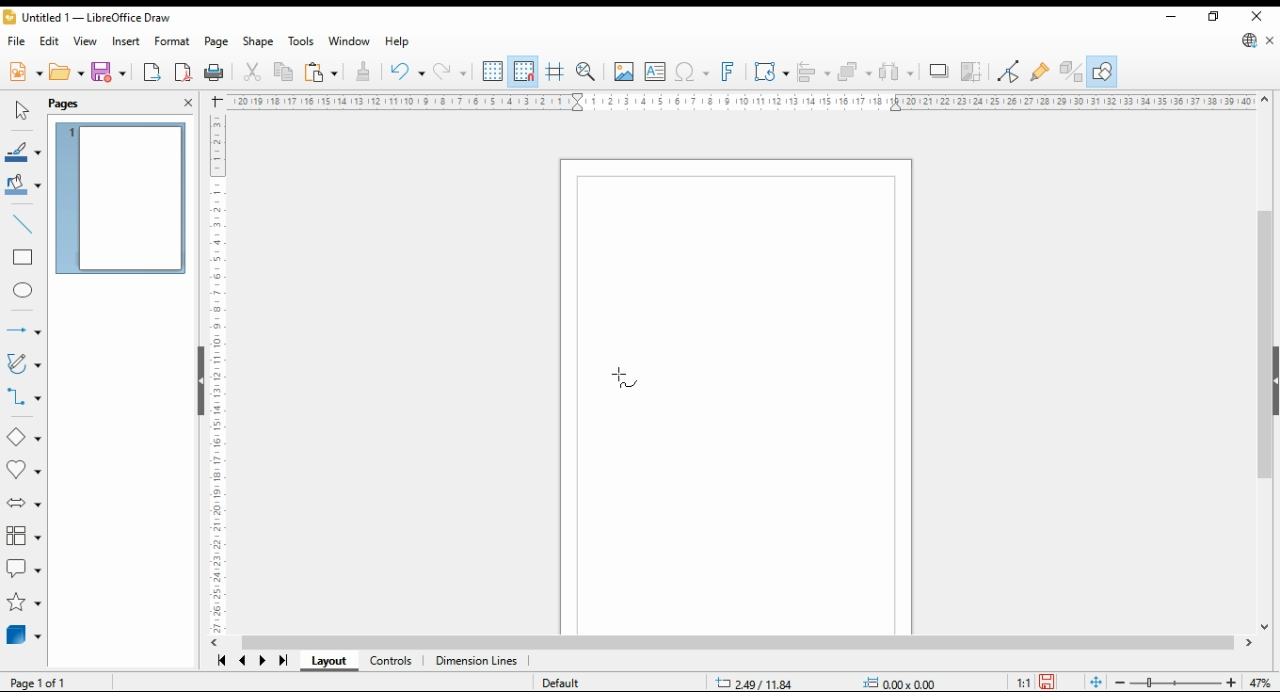 Image resolution: width=1280 pixels, height=692 pixels. Describe the element at coordinates (493, 71) in the screenshot. I see `show grid` at that location.